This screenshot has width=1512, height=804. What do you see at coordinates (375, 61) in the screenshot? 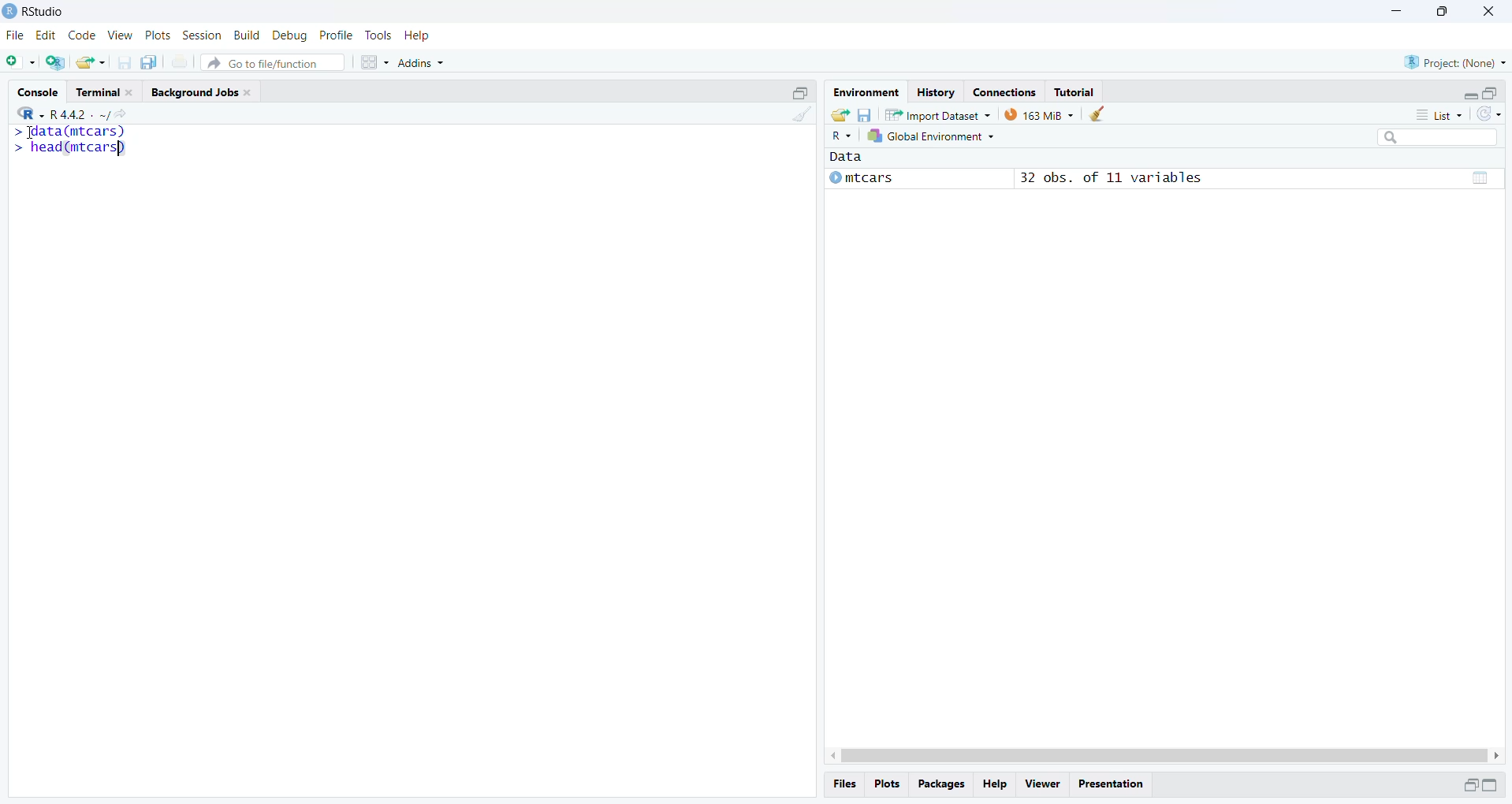
I see `grid` at bounding box center [375, 61].